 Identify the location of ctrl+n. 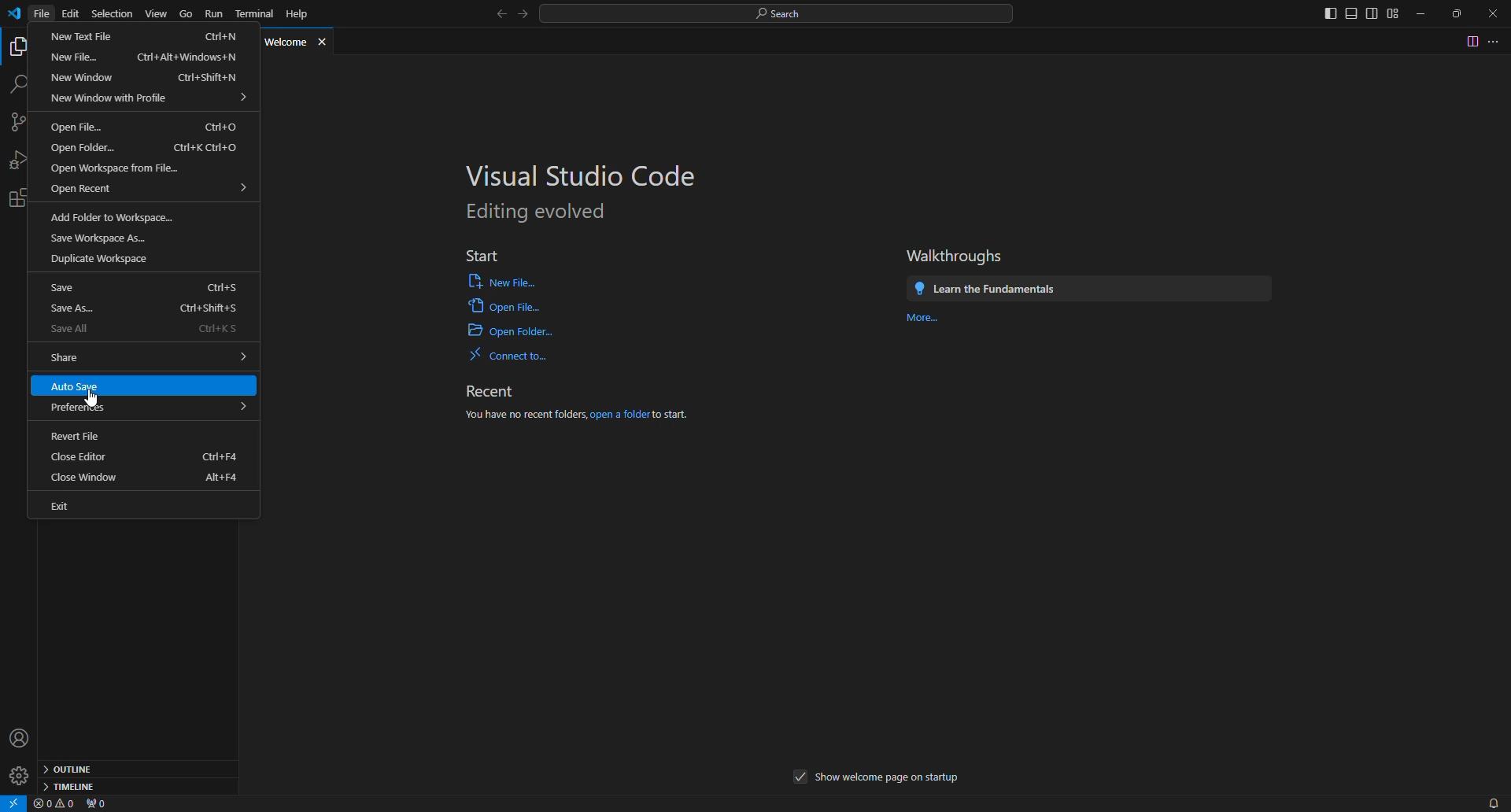
(219, 37).